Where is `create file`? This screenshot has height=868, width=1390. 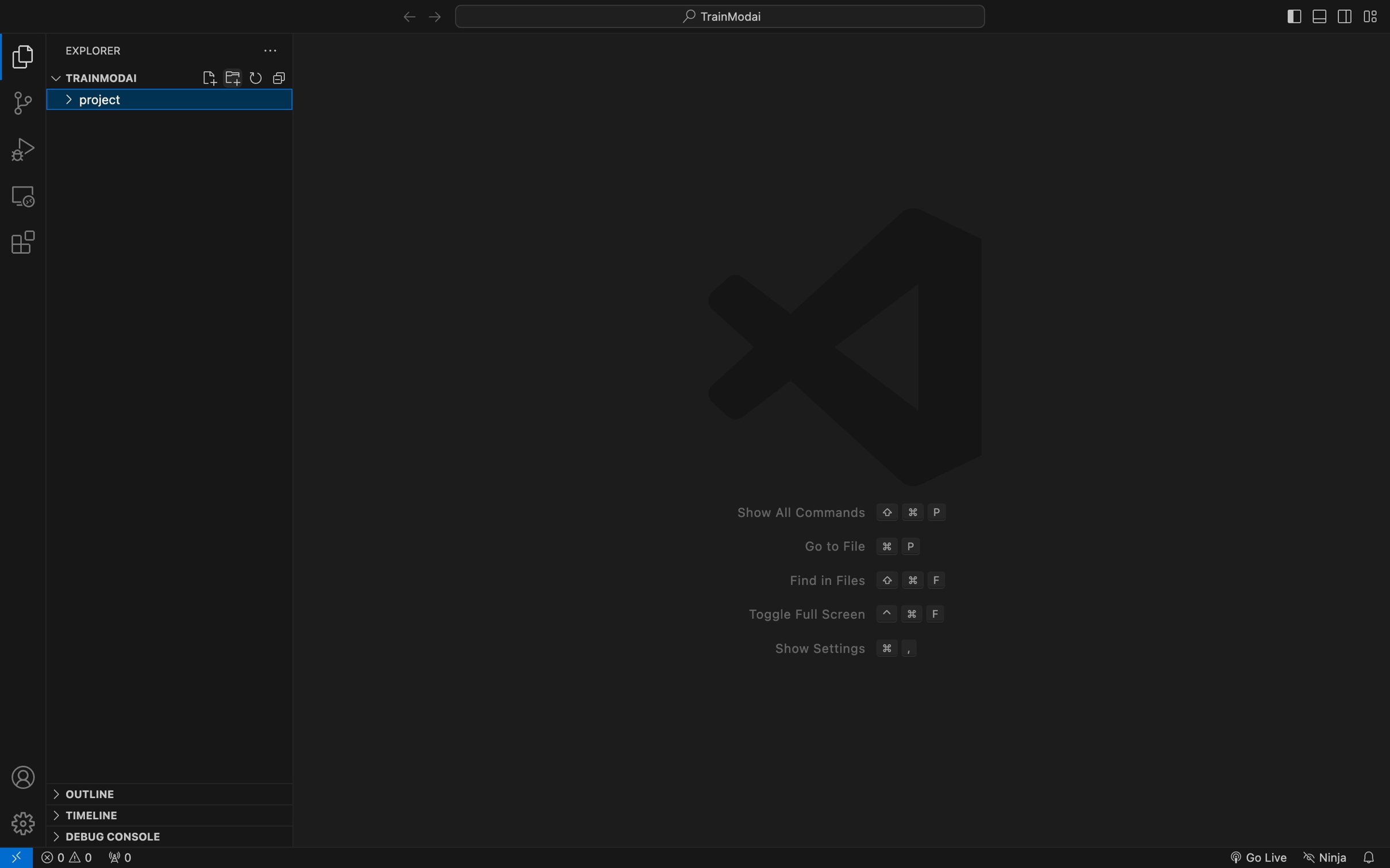
create file is located at coordinates (209, 76).